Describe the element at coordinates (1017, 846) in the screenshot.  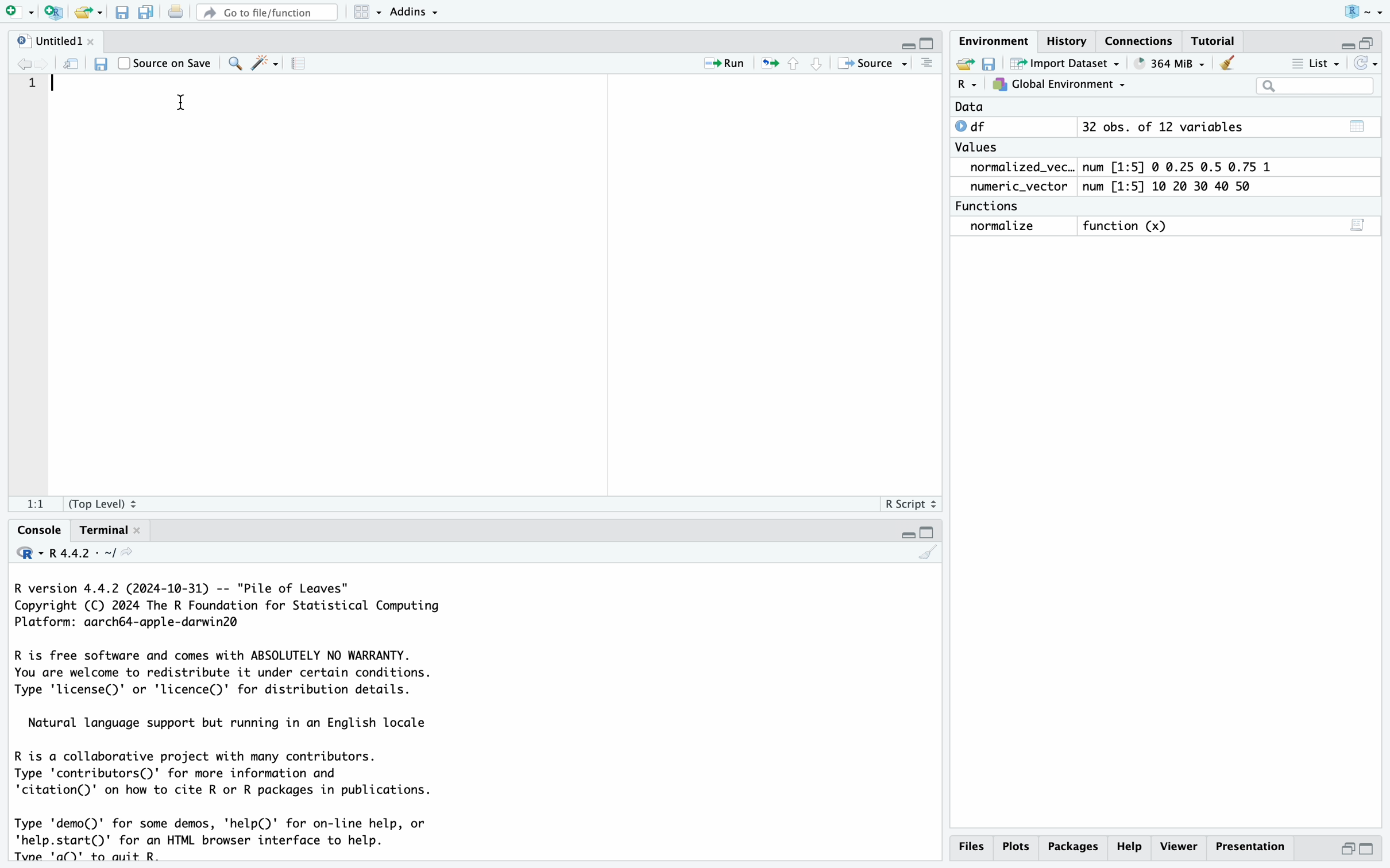
I see `Plots` at that location.